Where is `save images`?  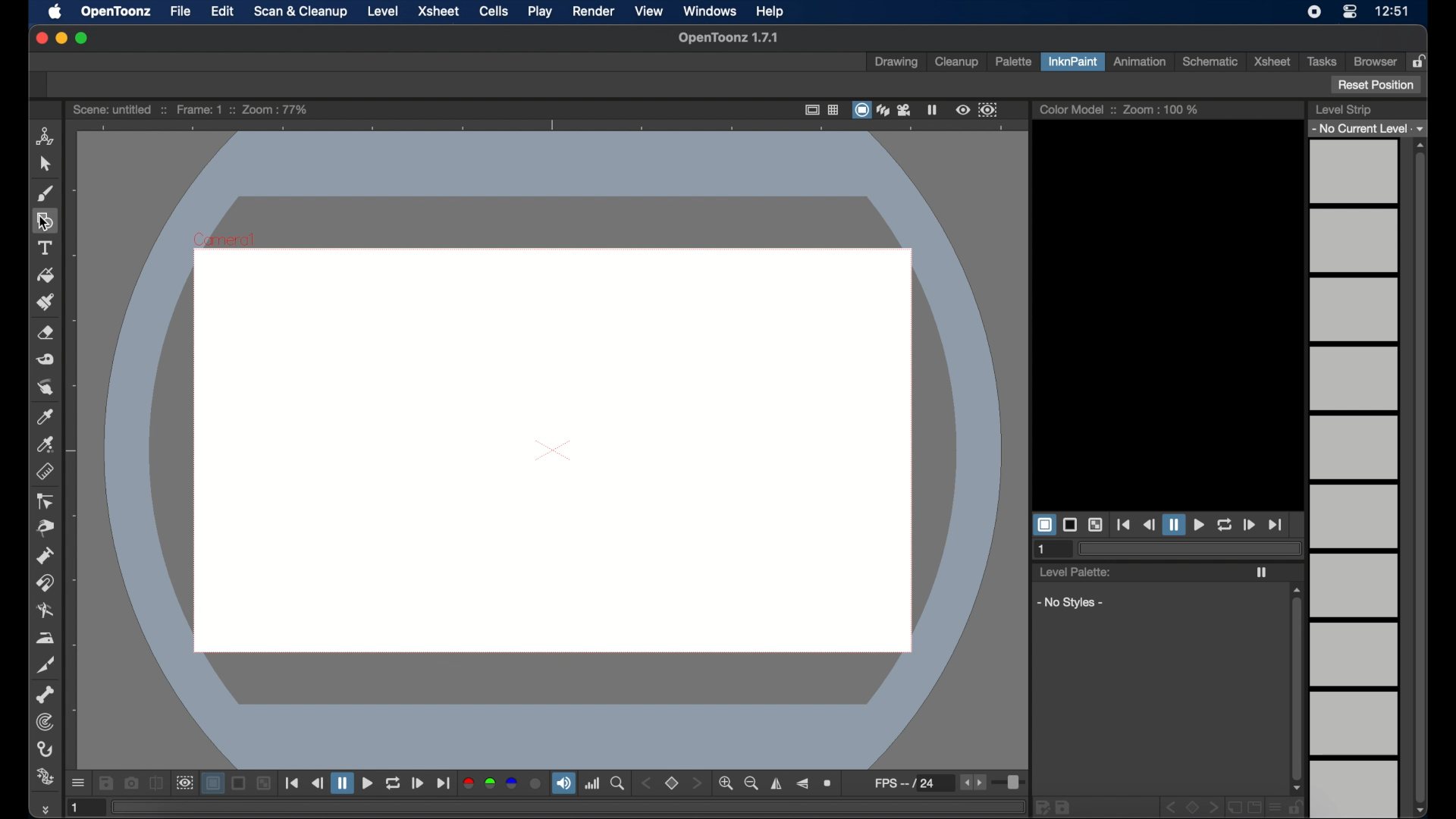 save images is located at coordinates (105, 783).